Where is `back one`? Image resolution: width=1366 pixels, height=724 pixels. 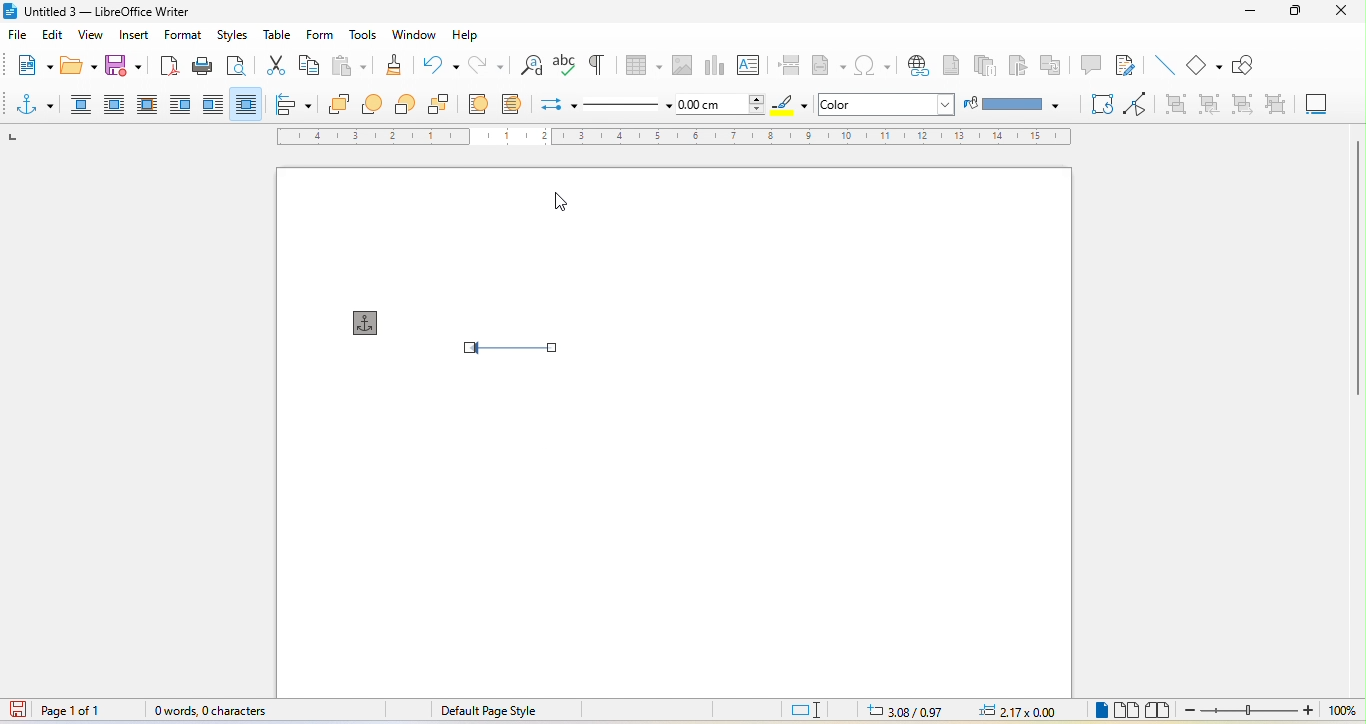
back one is located at coordinates (407, 106).